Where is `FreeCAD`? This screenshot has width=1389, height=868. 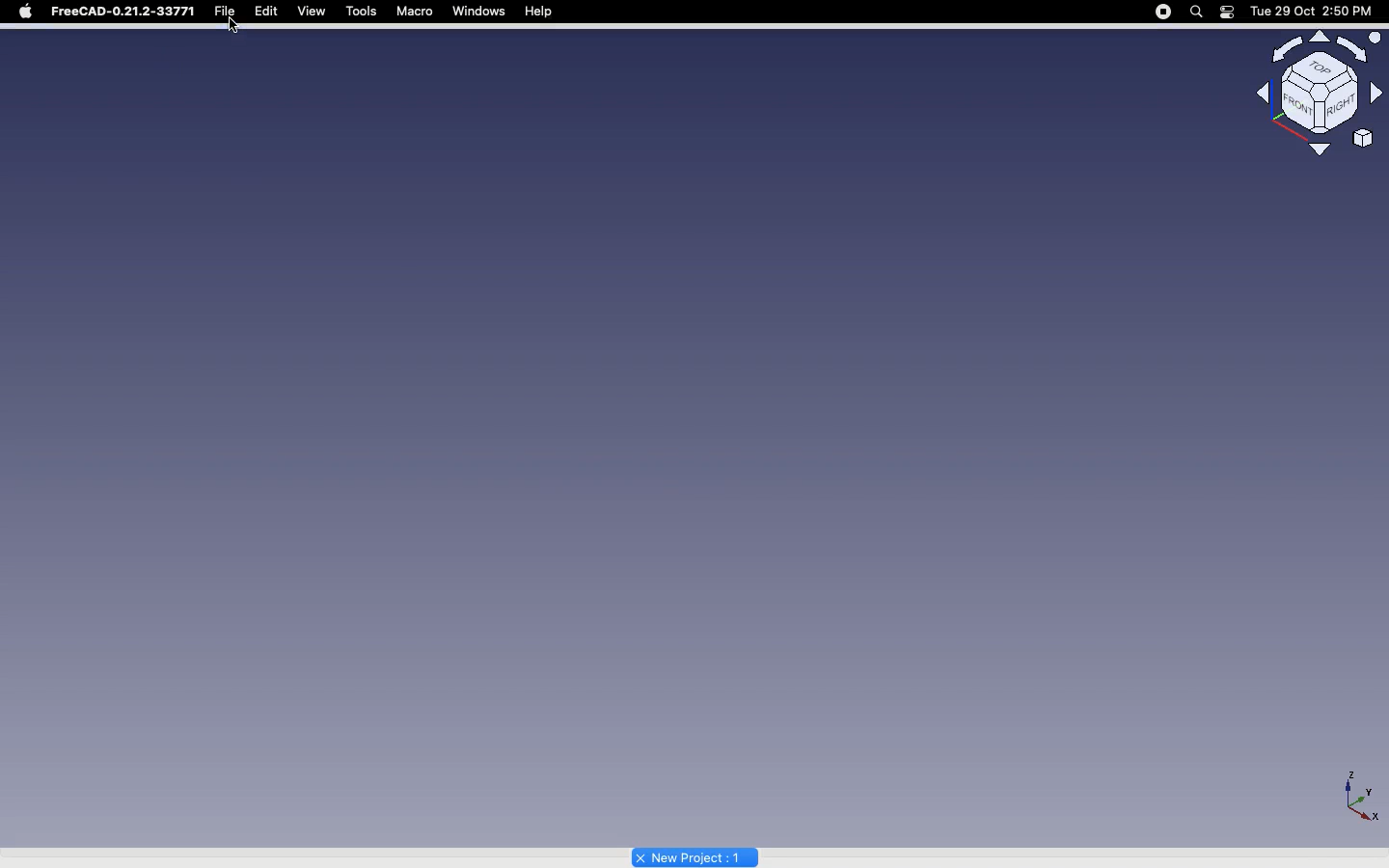 FreeCAD is located at coordinates (125, 12).